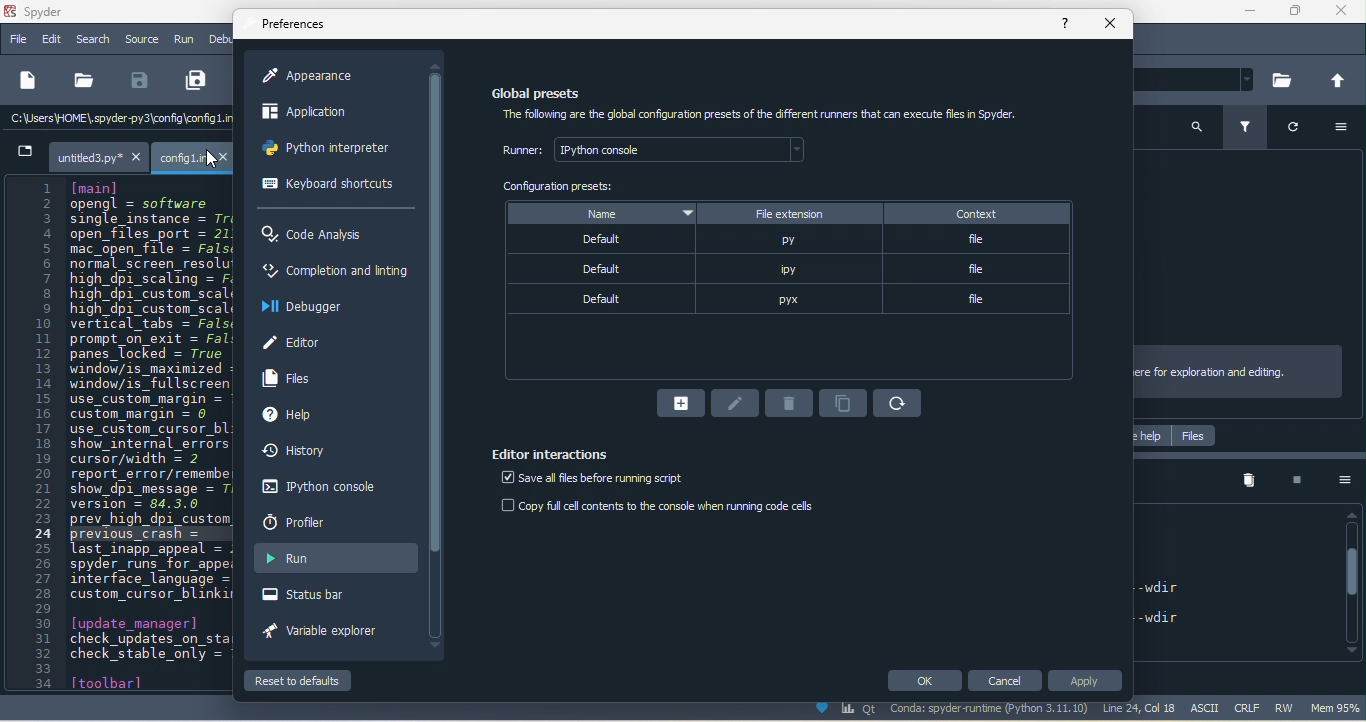 The image size is (1366, 722). Describe the element at coordinates (788, 242) in the screenshot. I see `py` at that location.